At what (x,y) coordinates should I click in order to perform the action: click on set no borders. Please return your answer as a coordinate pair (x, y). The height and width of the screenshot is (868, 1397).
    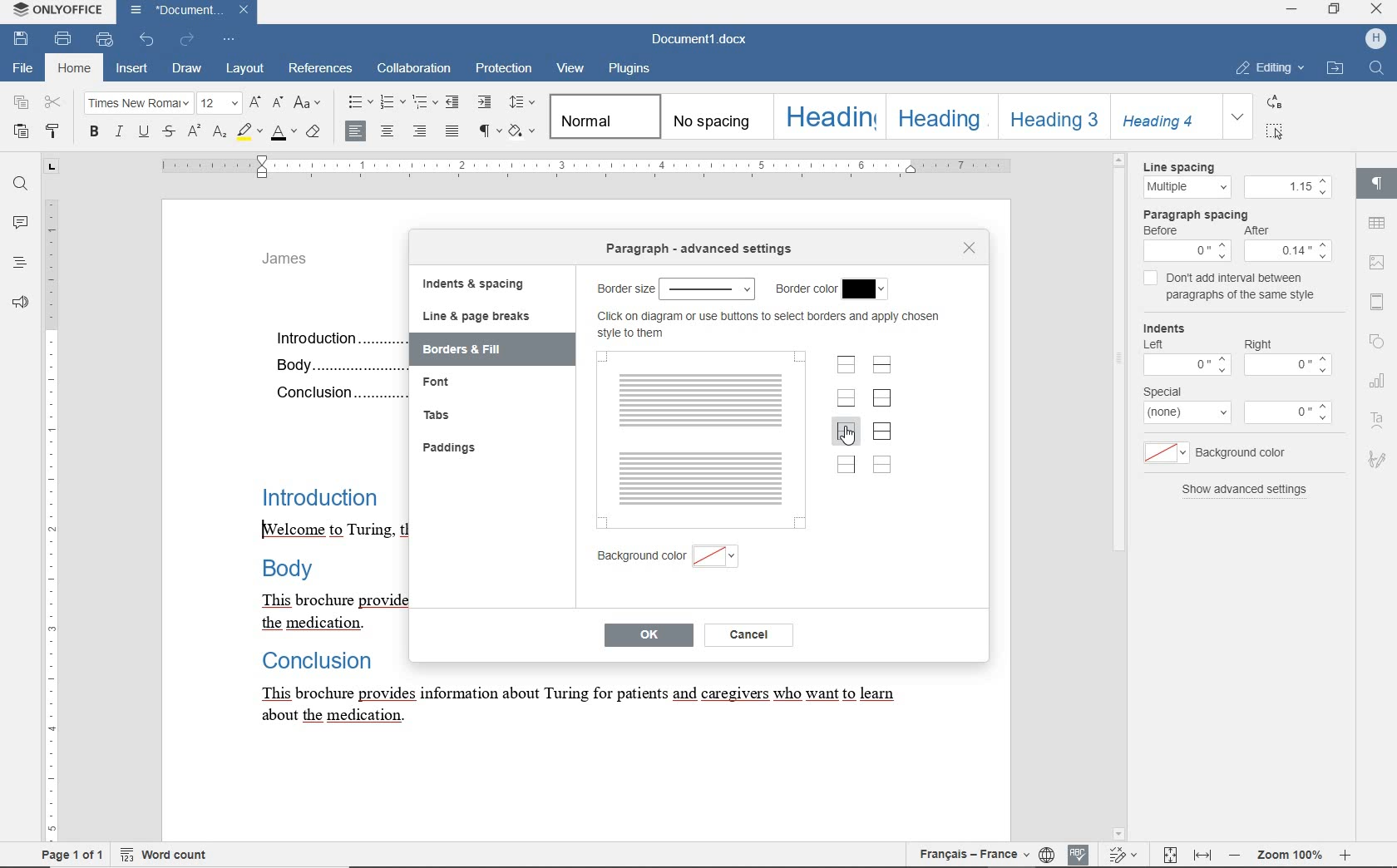
    Looking at the image, I should click on (882, 465).